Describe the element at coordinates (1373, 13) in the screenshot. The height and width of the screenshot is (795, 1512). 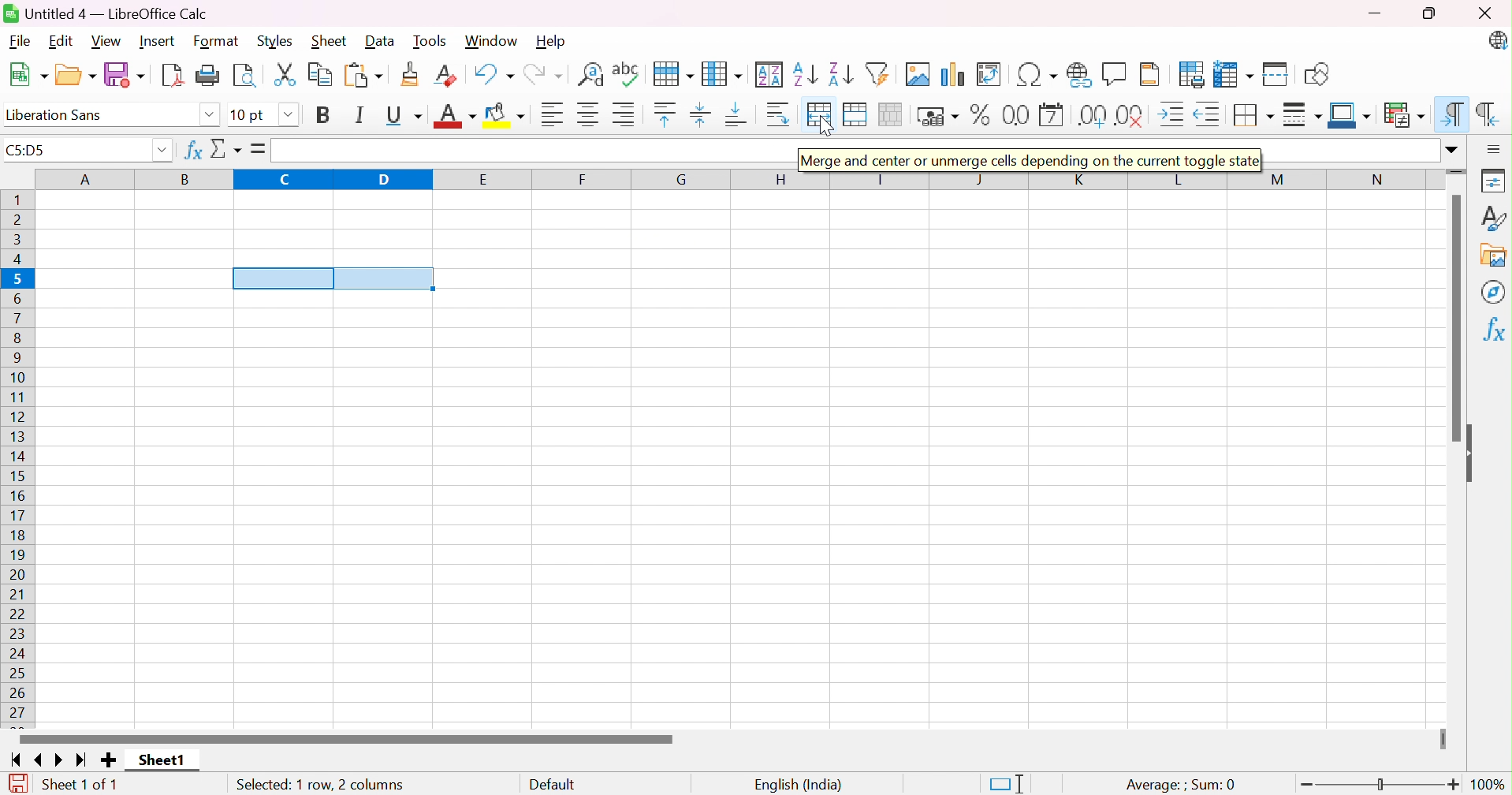
I see `Minimize` at that location.